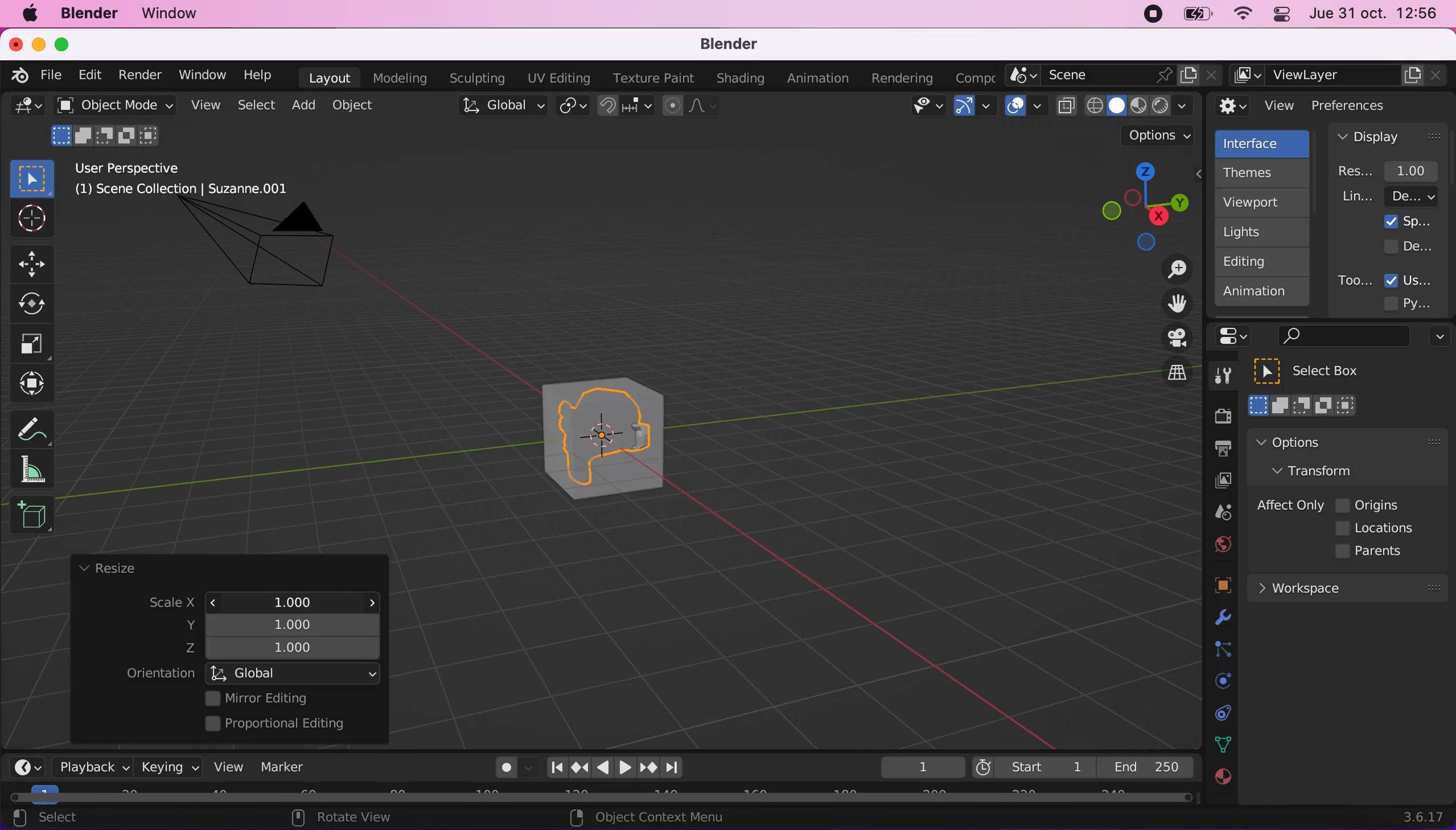 This screenshot has width=1456, height=830. Describe the element at coordinates (1032, 767) in the screenshot. I see `start 1` at that location.